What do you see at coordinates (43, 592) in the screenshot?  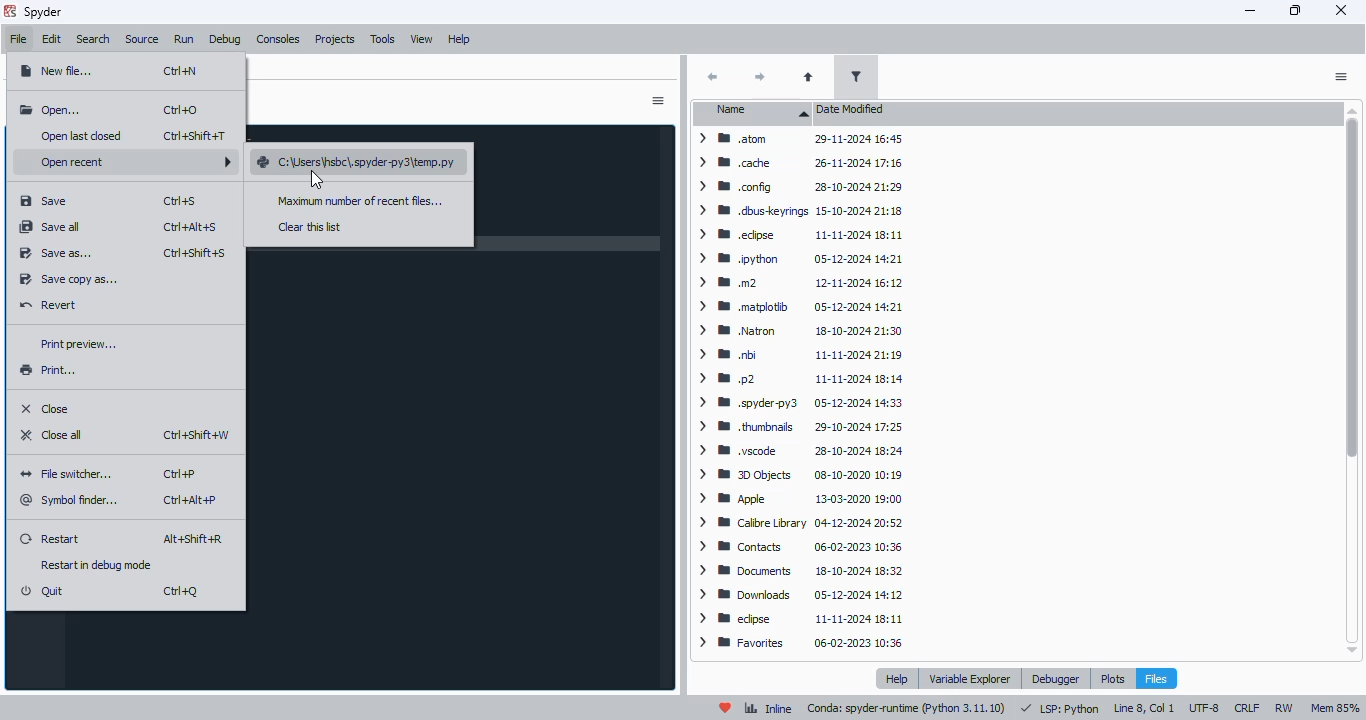 I see `quit` at bounding box center [43, 592].